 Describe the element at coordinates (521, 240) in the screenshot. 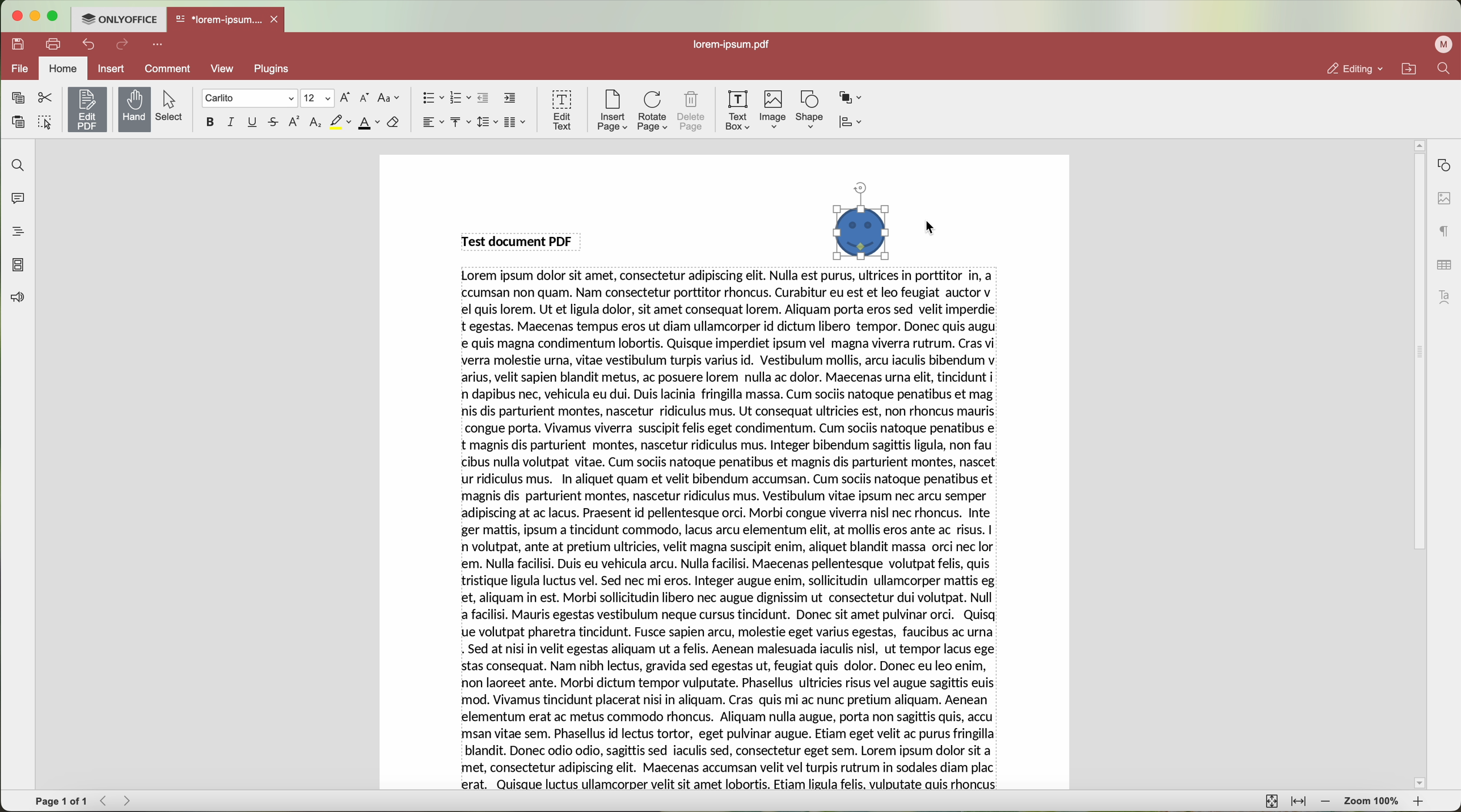

I see `selected title` at that location.